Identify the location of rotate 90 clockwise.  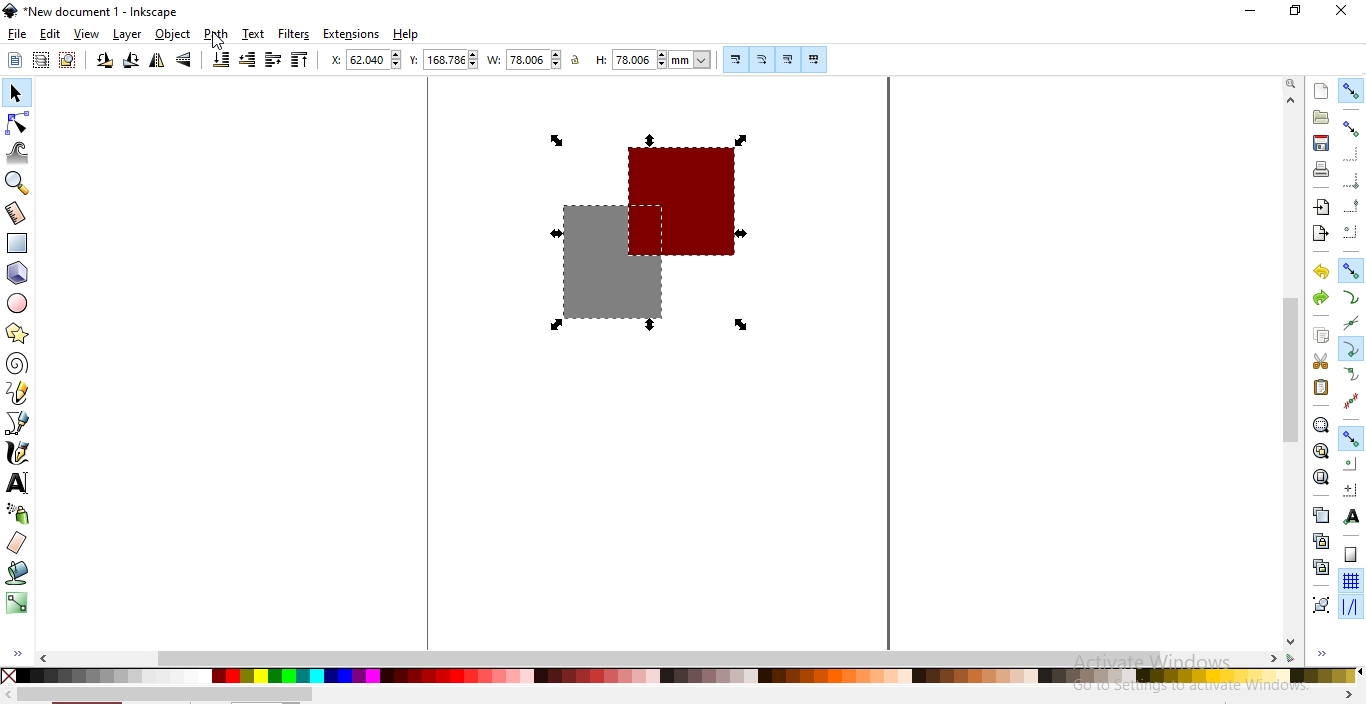
(129, 62).